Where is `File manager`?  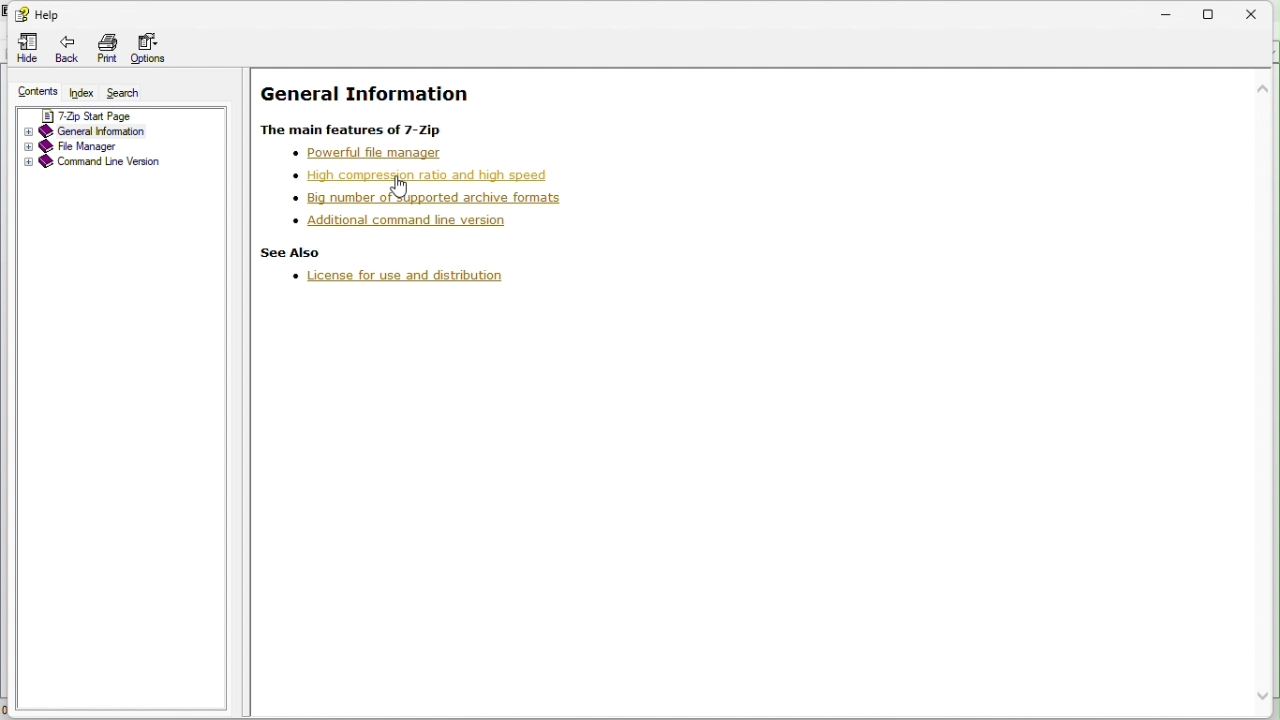 File manager is located at coordinates (118, 144).